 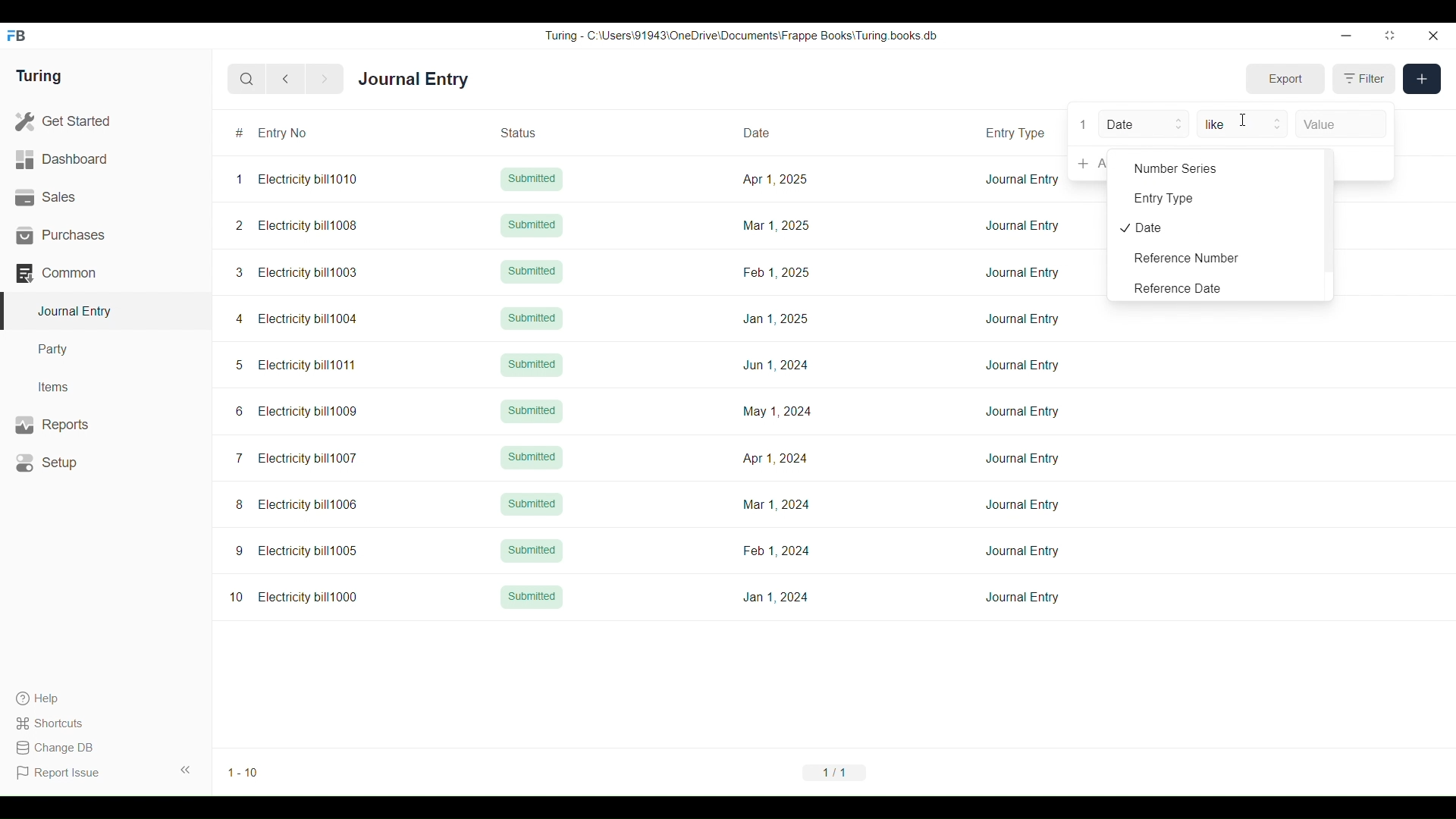 What do you see at coordinates (1433, 36) in the screenshot?
I see `Close` at bounding box center [1433, 36].